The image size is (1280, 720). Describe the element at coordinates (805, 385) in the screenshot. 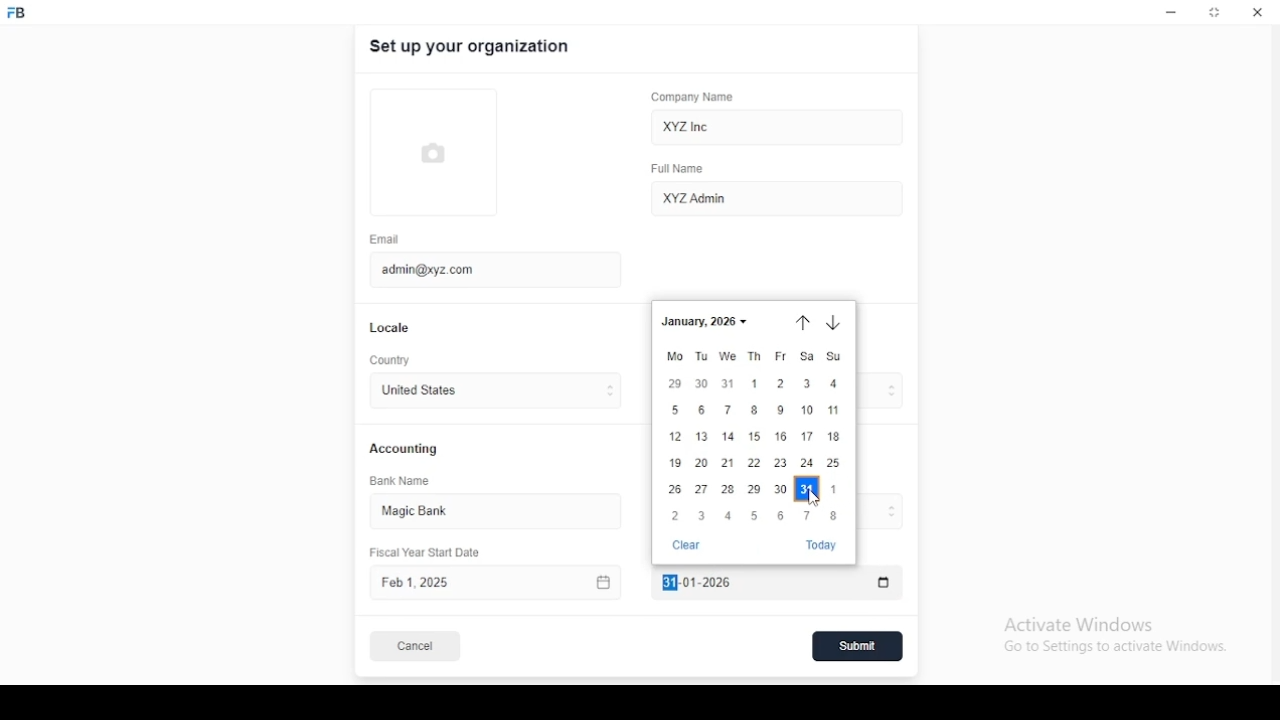

I see `3` at that location.